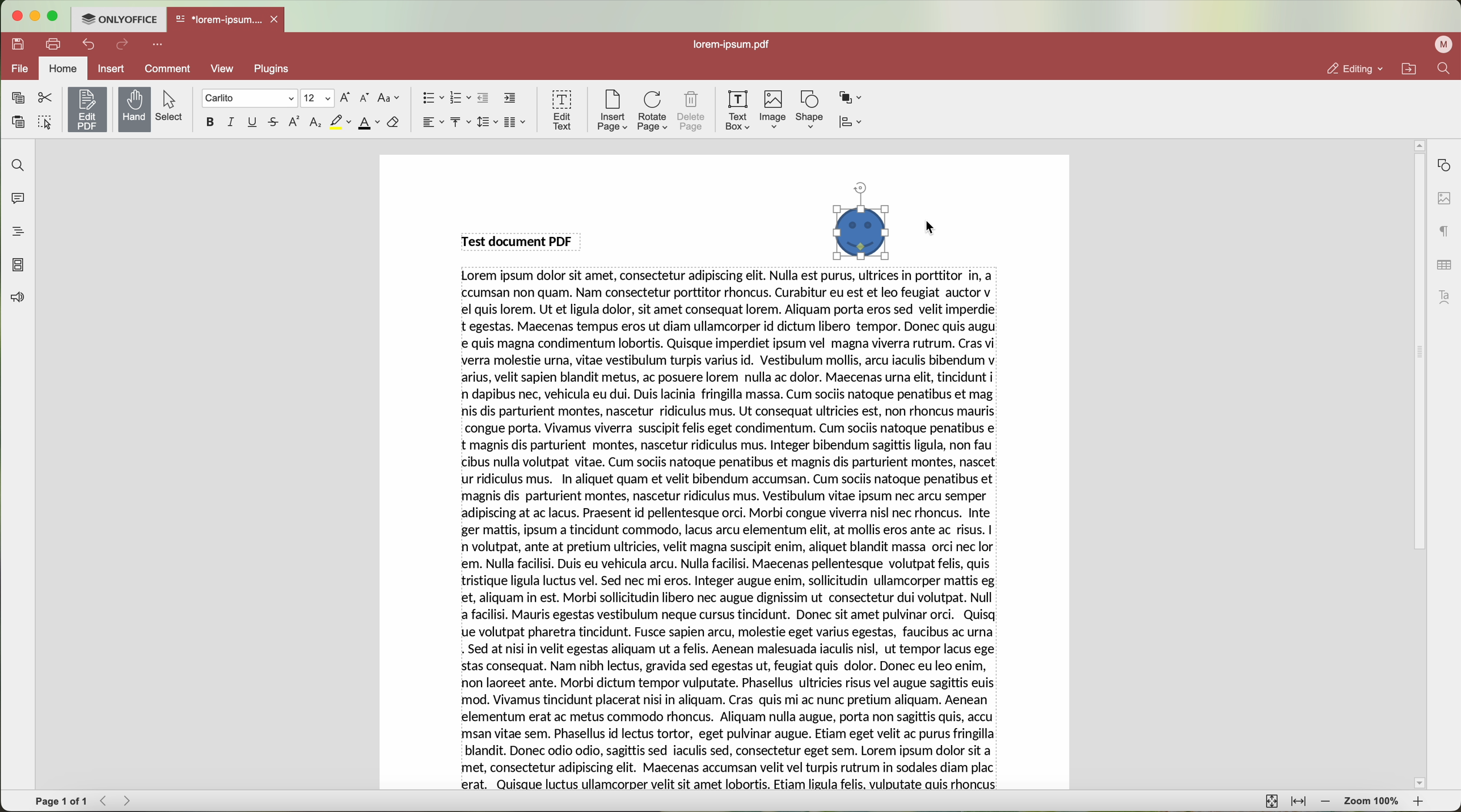  Describe the element at coordinates (858, 222) in the screenshot. I see `image size` at that location.